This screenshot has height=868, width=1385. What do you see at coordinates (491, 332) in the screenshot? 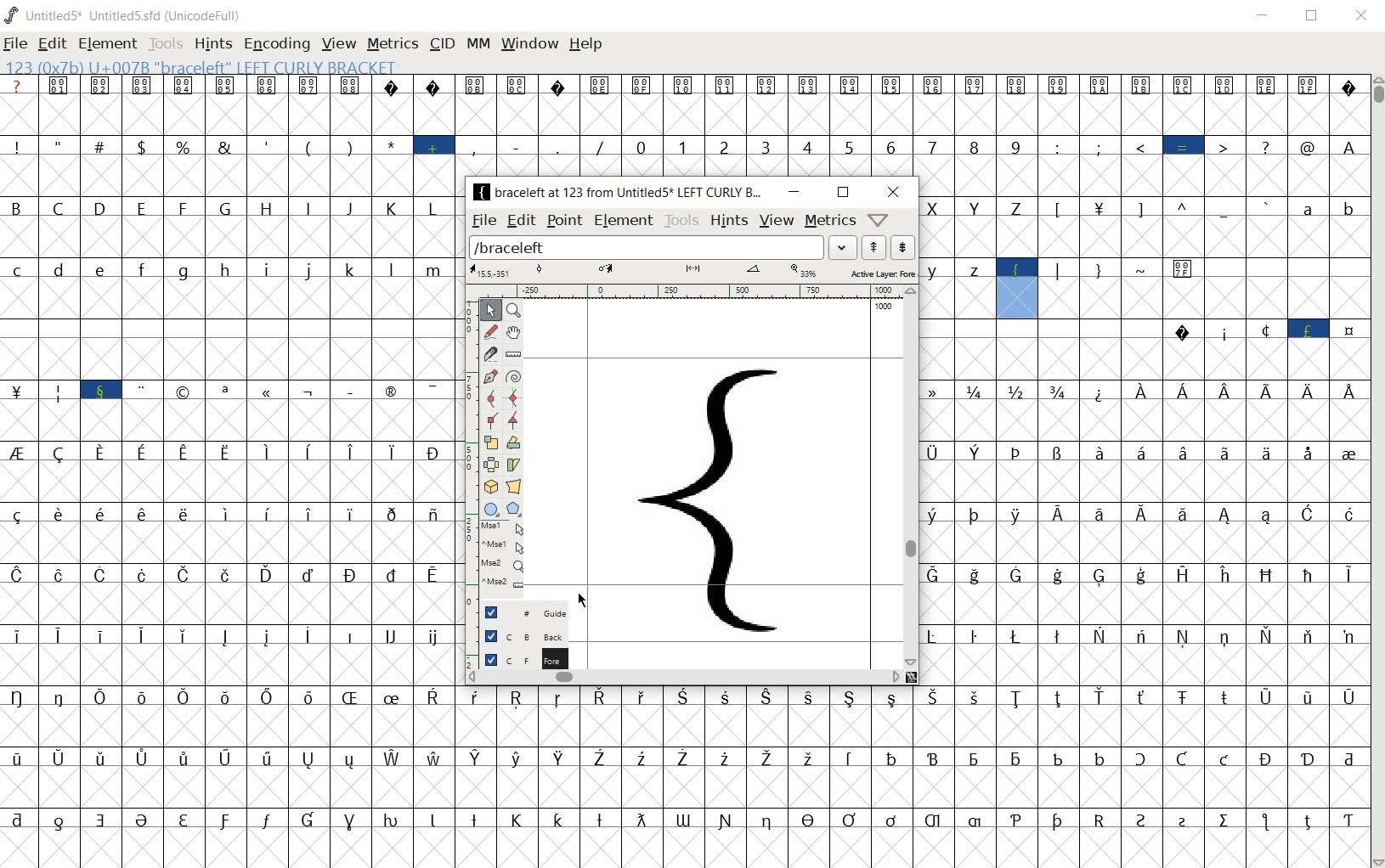
I see `draw a freehand curve` at bounding box center [491, 332].